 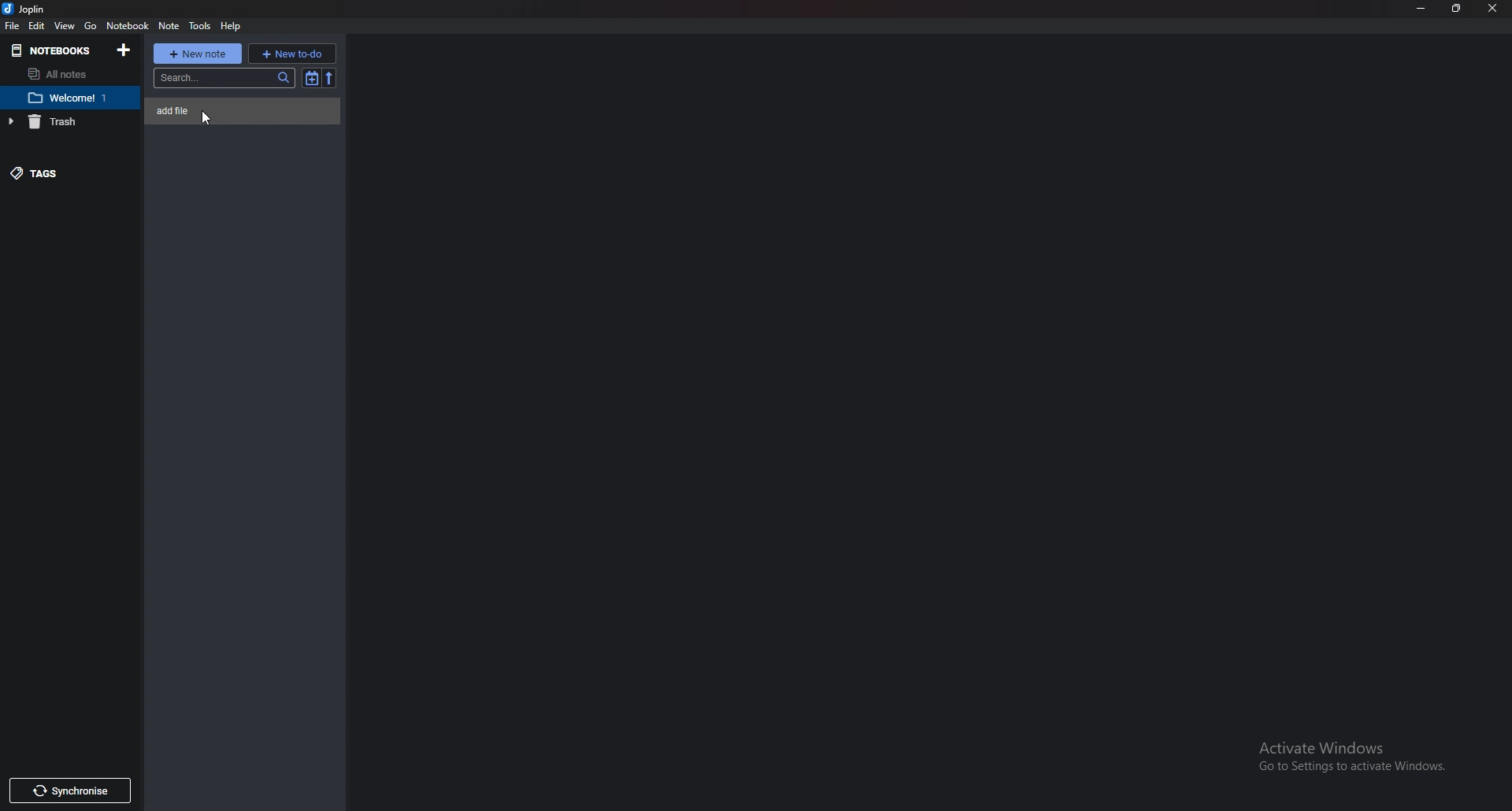 I want to click on search, so click(x=222, y=77).